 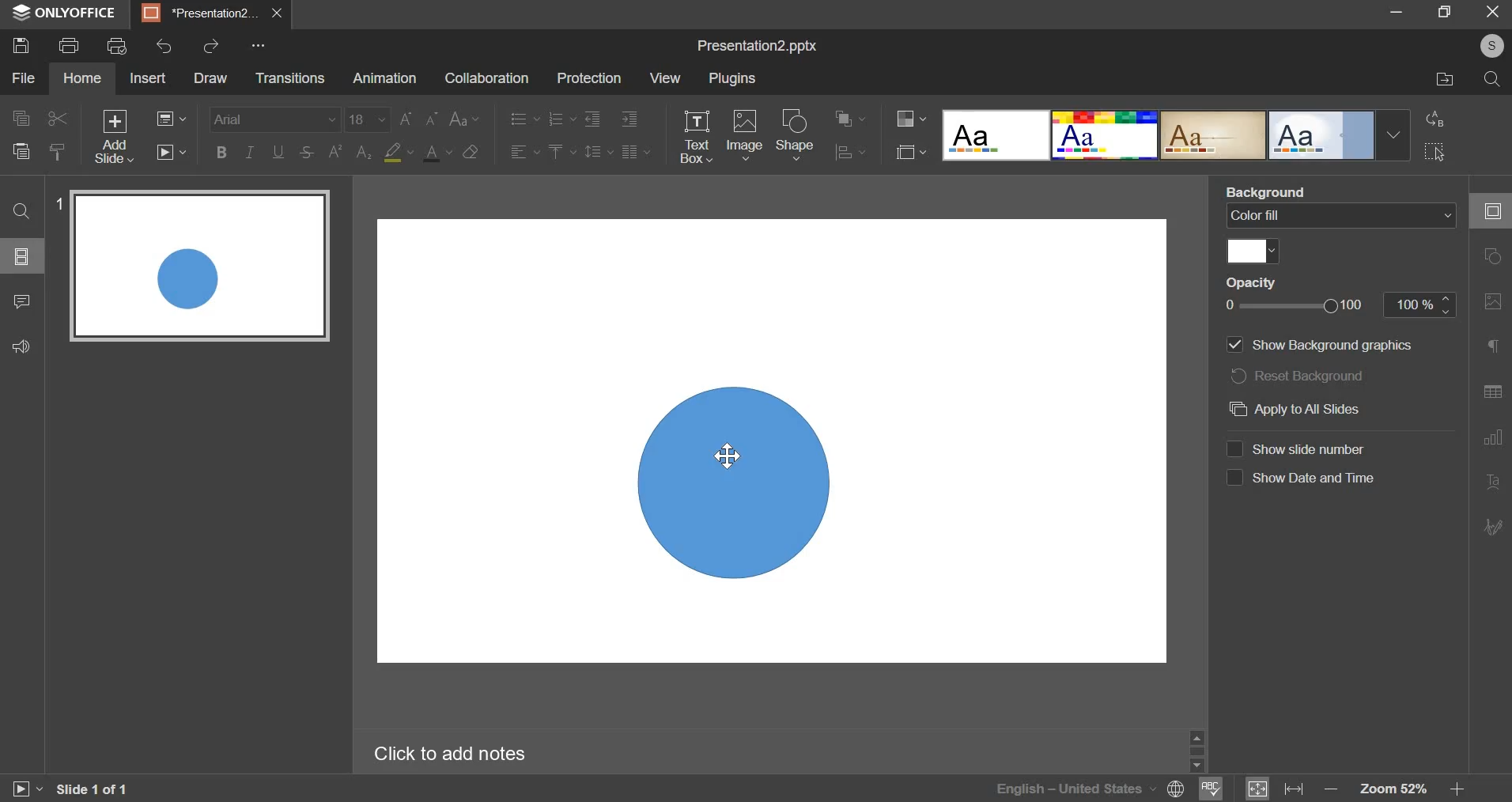 I want to click on change font size, so click(x=421, y=119).